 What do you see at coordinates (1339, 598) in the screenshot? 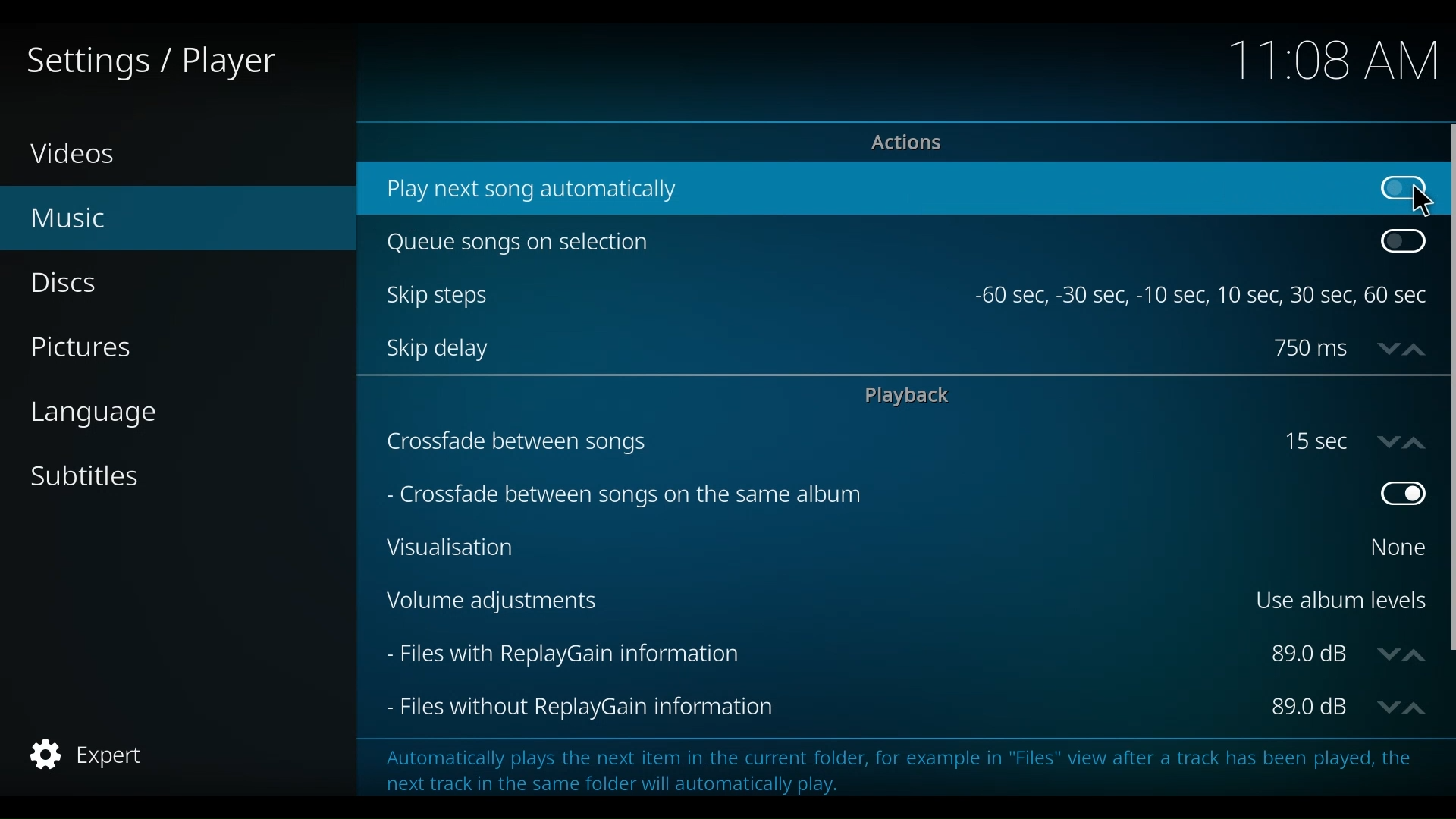
I see `Use album levels` at bounding box center [1339, 598].